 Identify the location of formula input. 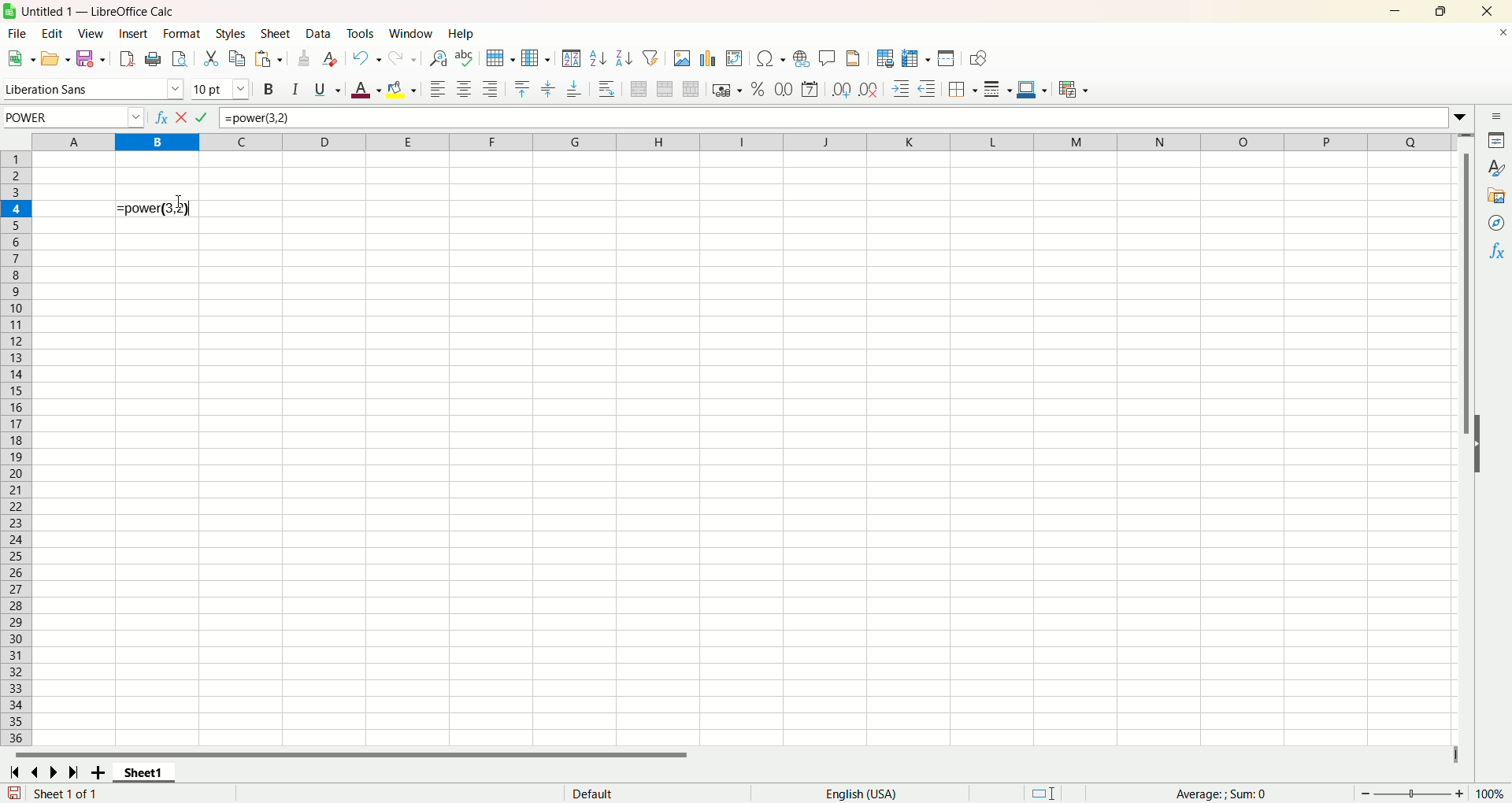
(154, 209).